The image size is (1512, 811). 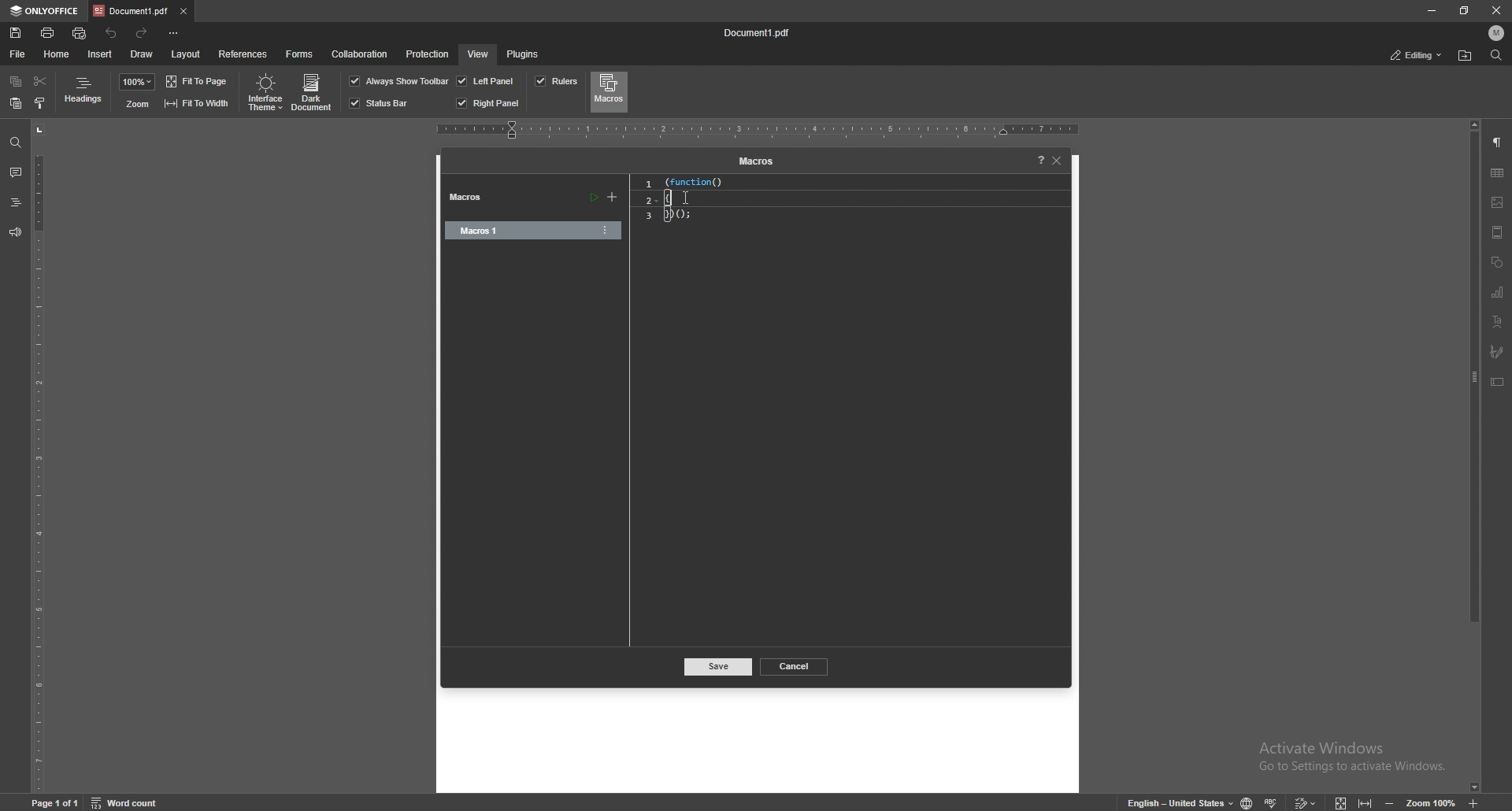 I want to click on quick print, so click(x=81, y=33).